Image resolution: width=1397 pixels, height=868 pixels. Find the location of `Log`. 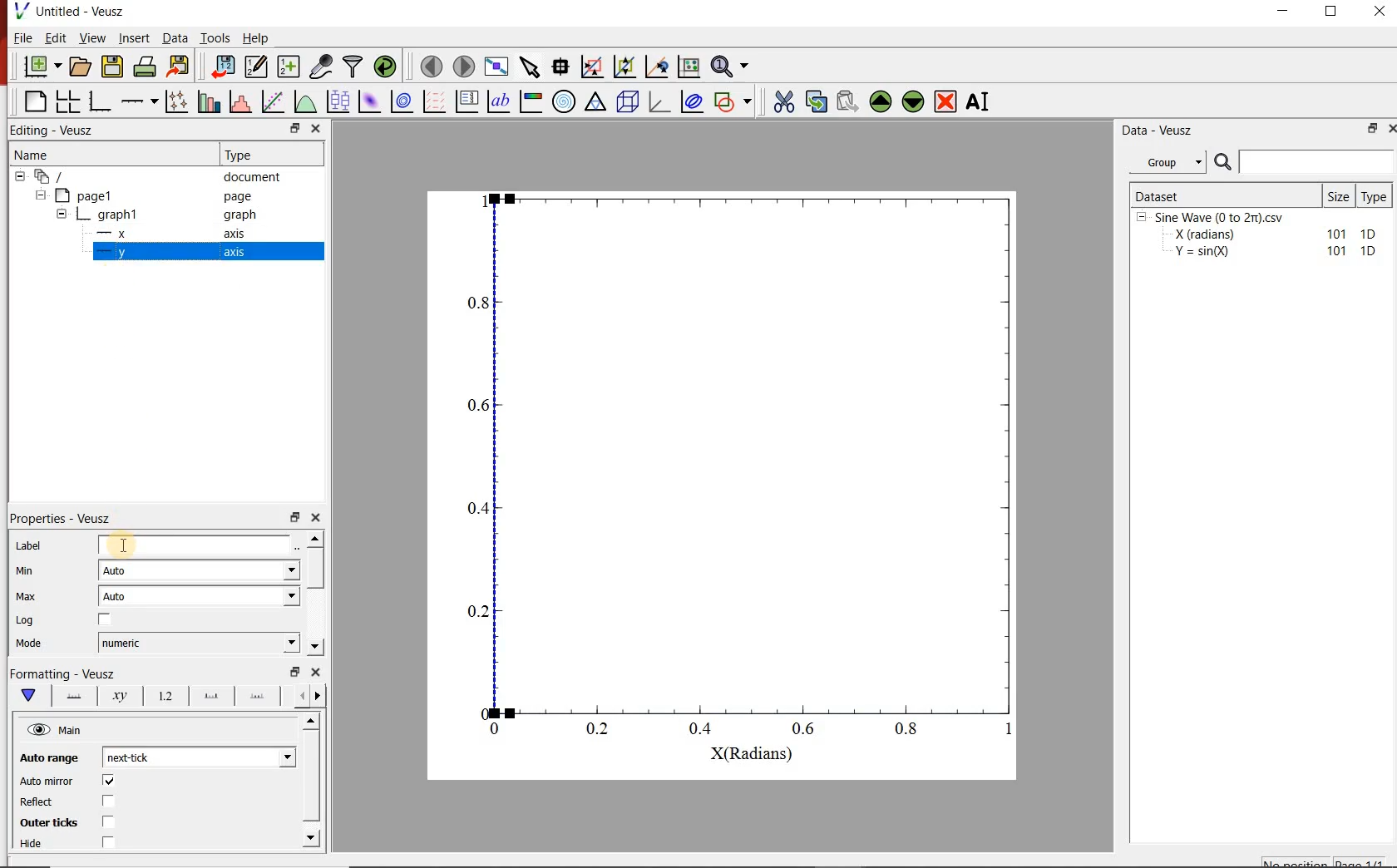

Log is located at coordinates (25, 620).